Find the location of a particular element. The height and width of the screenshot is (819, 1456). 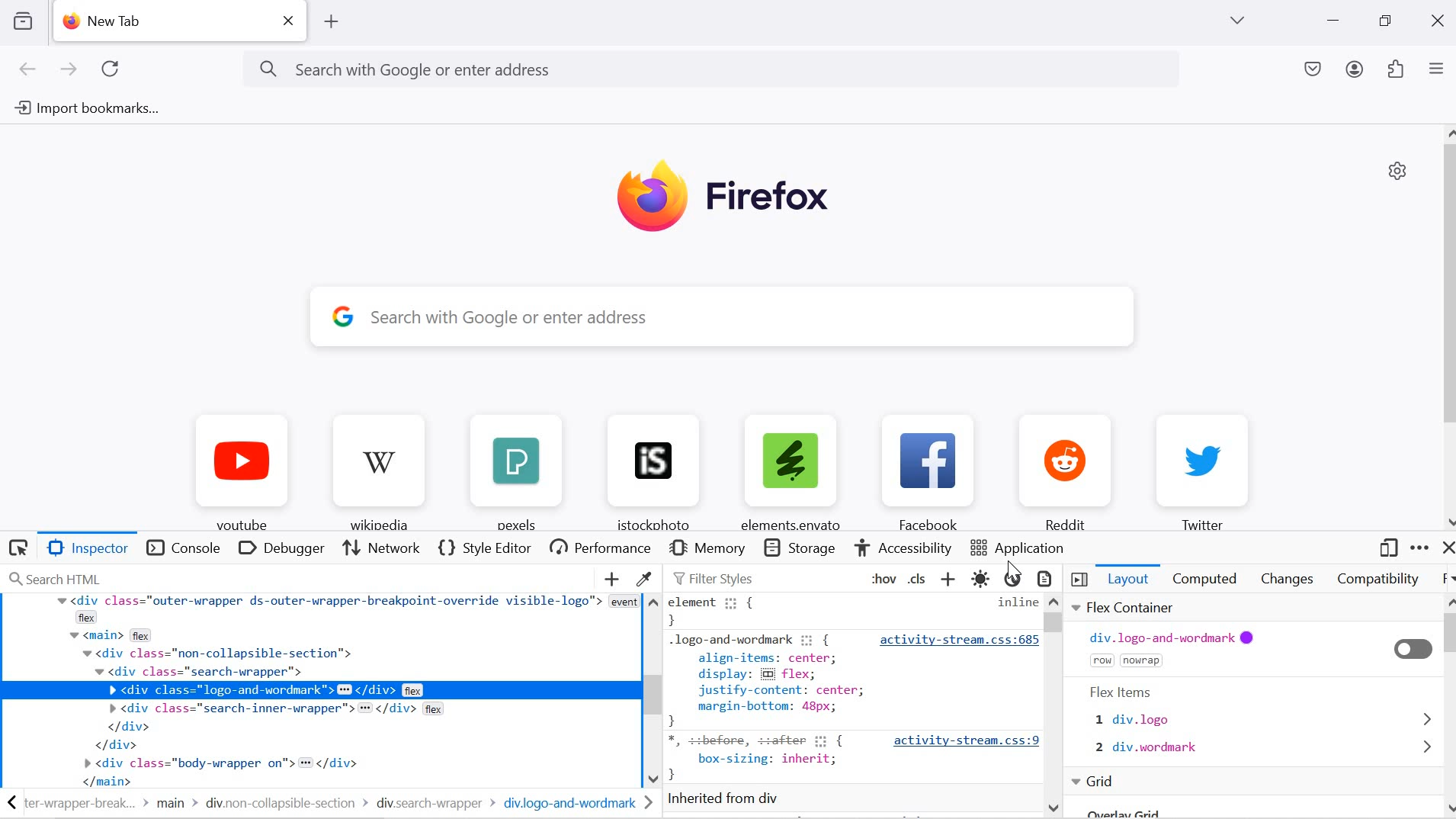

youtube is located at coordinates (249, 466).